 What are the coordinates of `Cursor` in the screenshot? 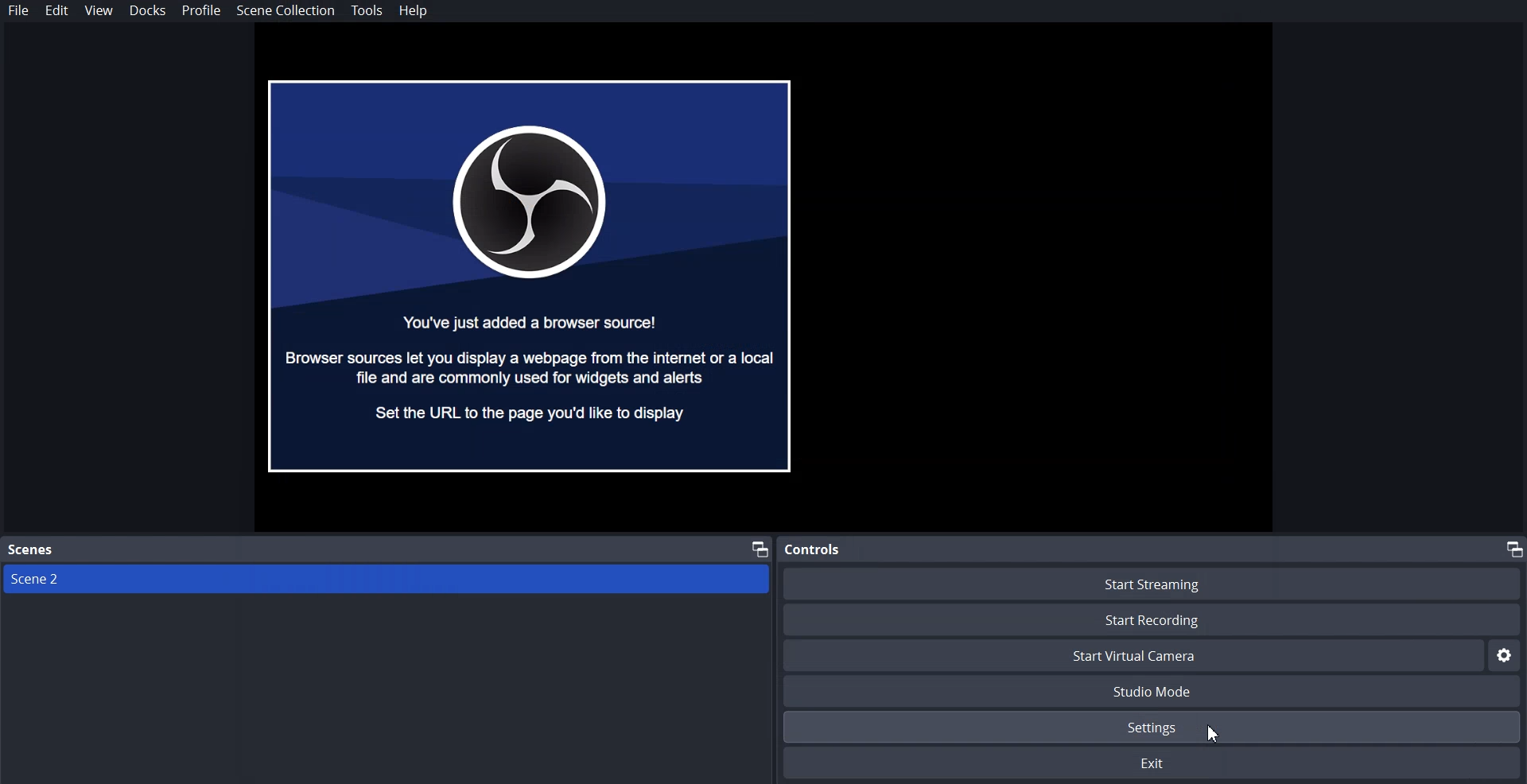 It's located at (1213, 728).